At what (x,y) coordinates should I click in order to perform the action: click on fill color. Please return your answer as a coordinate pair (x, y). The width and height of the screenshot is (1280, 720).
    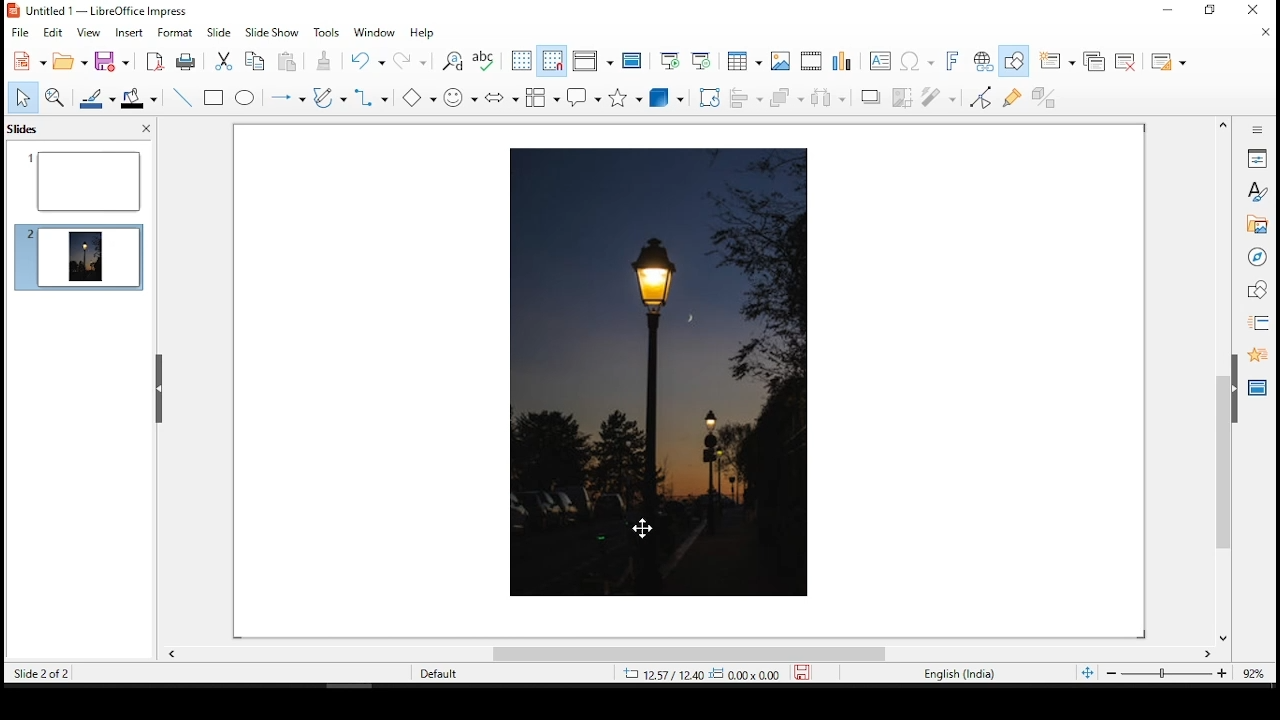
    Looking at the image, I should click on (142, 98).